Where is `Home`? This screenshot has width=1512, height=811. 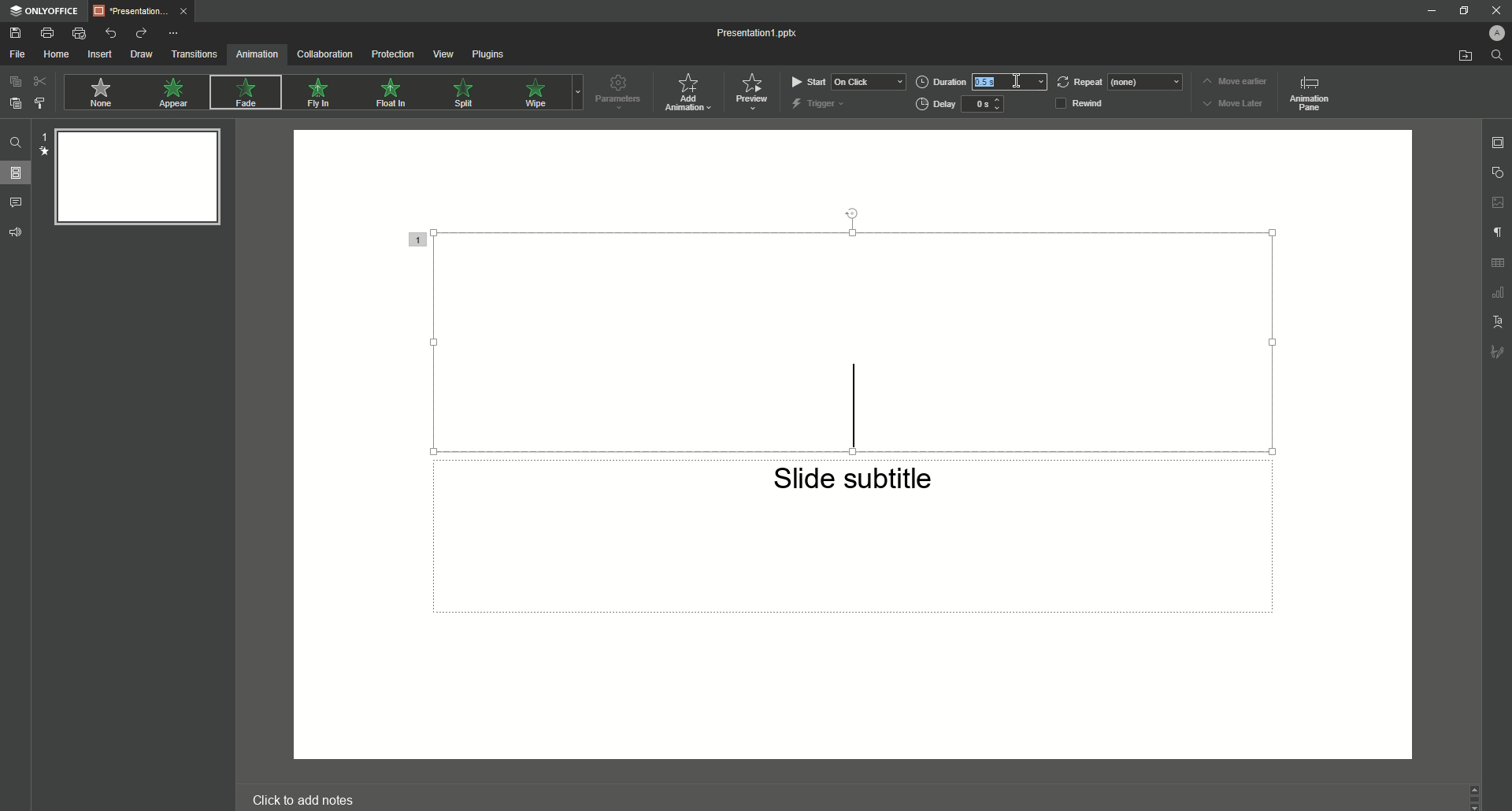 Home is located at coordinates (57, 55).